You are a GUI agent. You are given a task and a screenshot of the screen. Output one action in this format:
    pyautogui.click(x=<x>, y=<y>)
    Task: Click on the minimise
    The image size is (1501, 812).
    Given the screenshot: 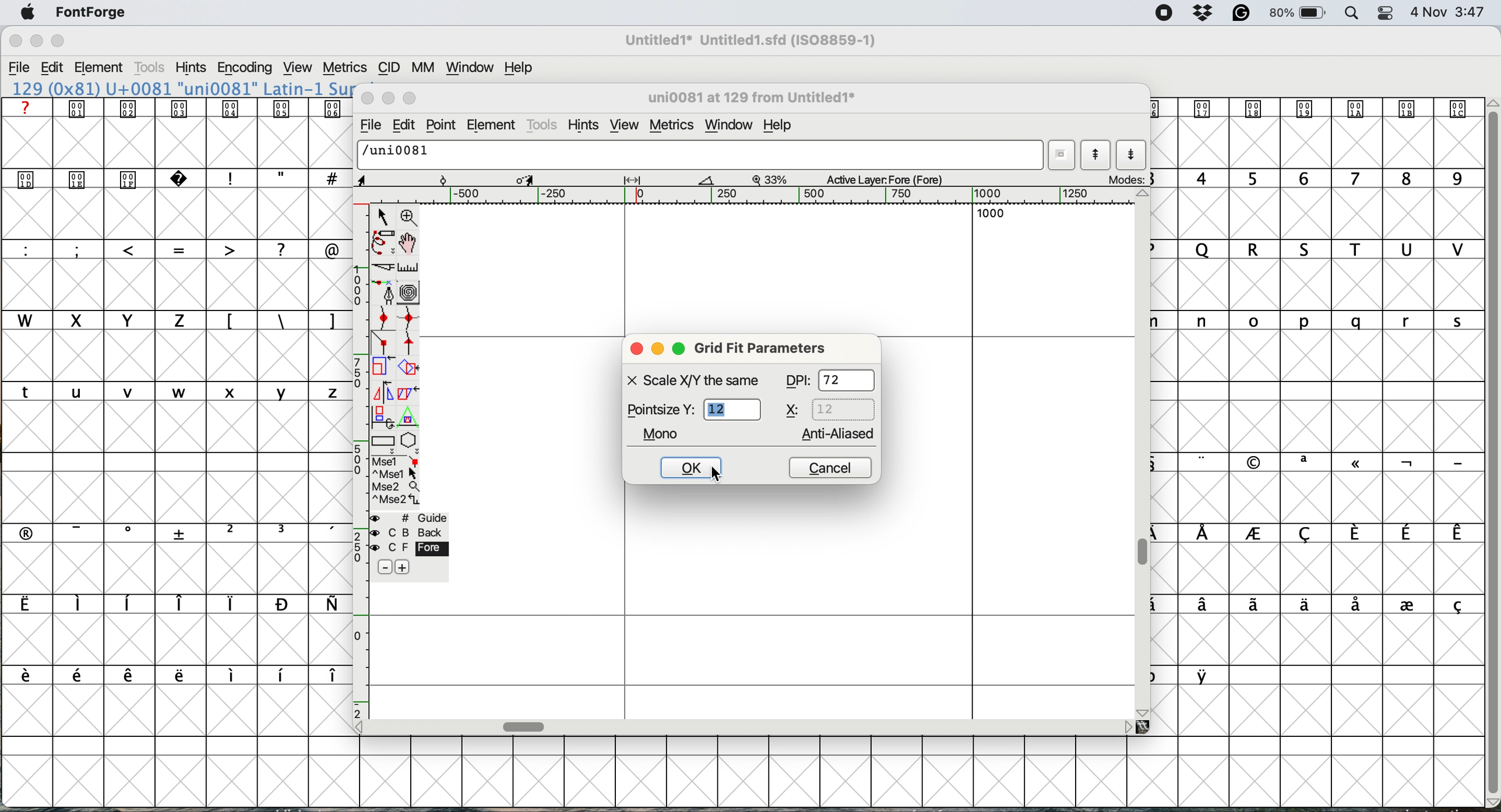 What is the action you would take?
    pyautogui.click(x=389, y=100)
    